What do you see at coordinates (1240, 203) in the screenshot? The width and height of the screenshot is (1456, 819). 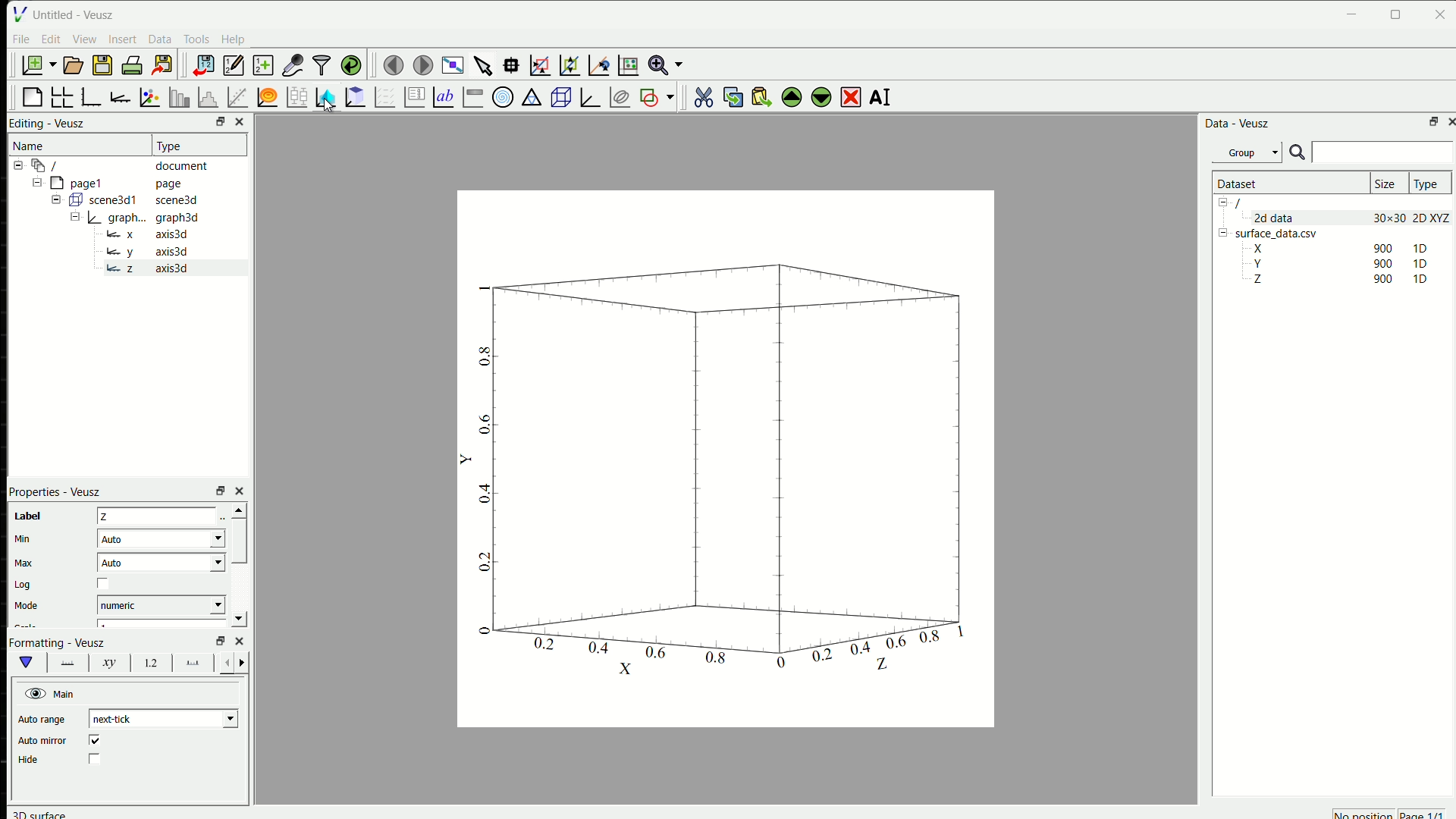 I see `/` at bounding box center [1240, 203].